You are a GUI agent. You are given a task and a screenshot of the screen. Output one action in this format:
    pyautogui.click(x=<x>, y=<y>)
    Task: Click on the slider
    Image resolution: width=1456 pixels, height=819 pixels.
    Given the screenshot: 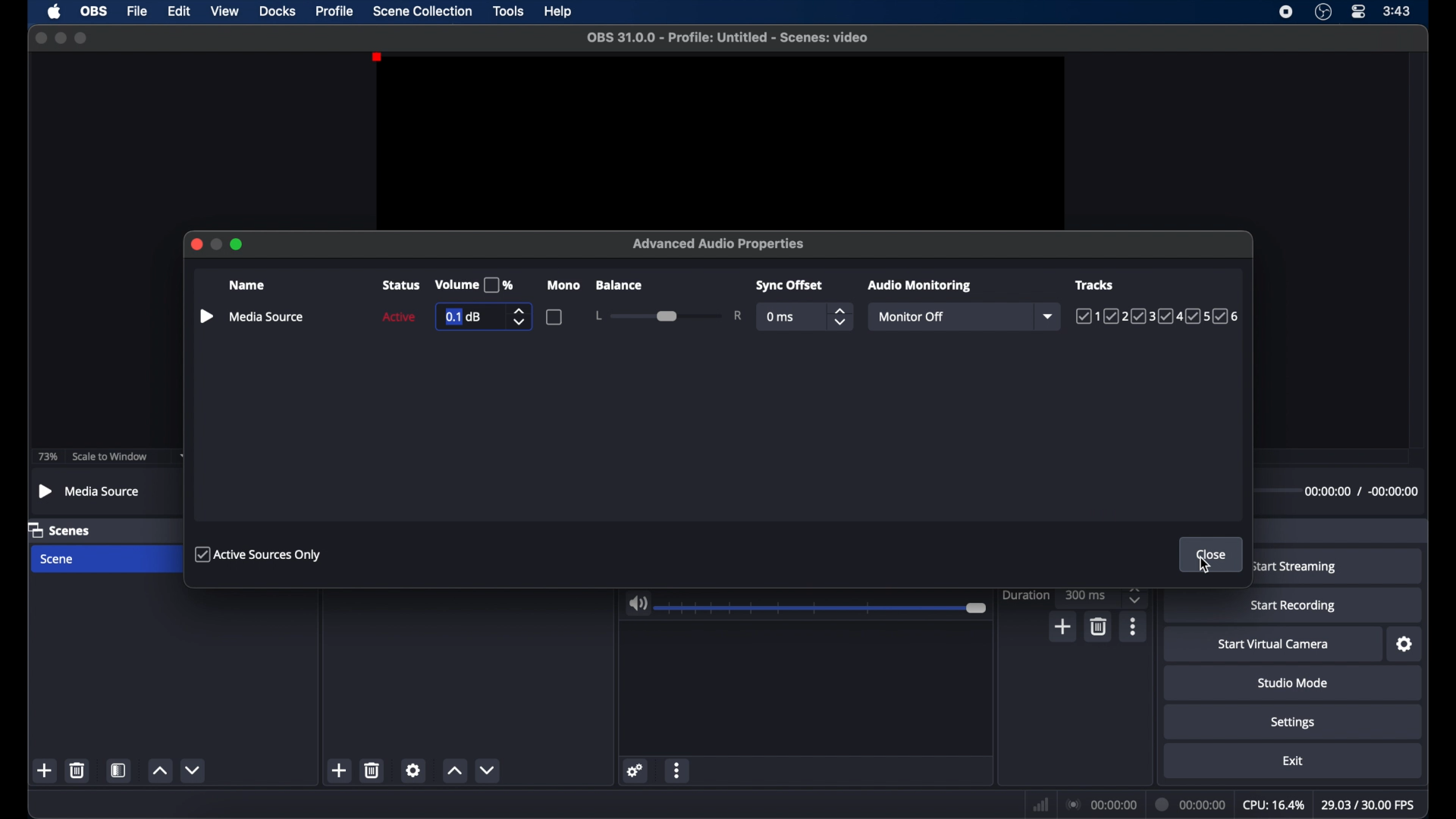 What is the action you would take?
    pyautogui.click(x=668, y=315)
    